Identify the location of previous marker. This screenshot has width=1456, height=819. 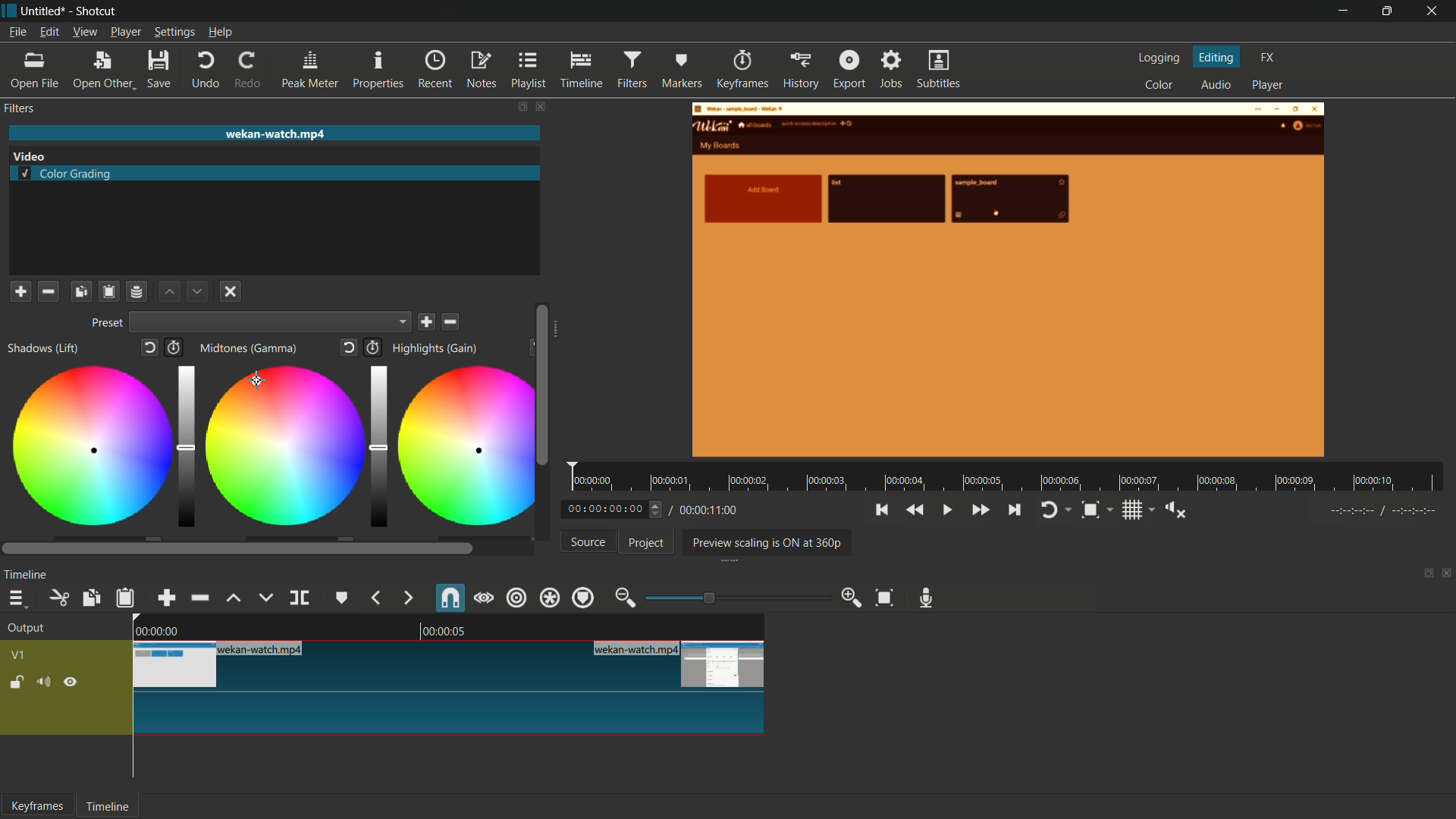
(374, 598).